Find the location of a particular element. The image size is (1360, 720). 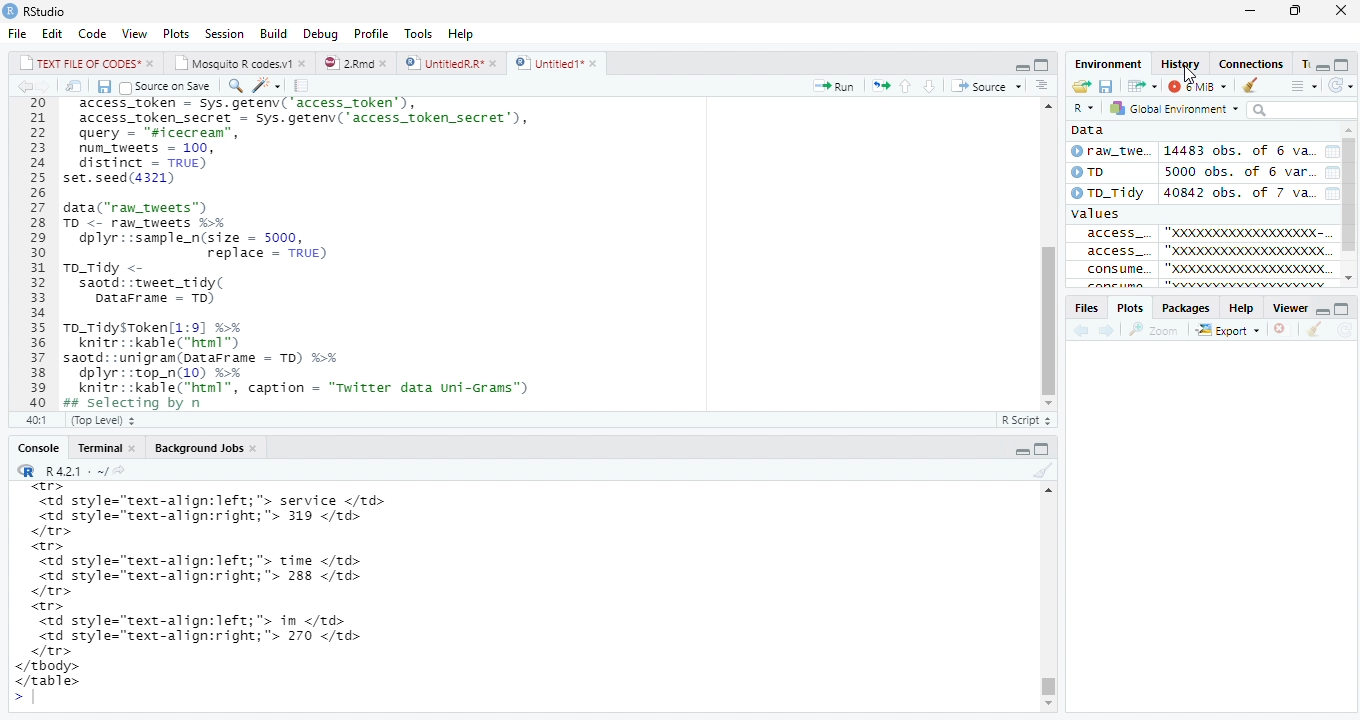

go bckward is located at coordinates (32, 85).